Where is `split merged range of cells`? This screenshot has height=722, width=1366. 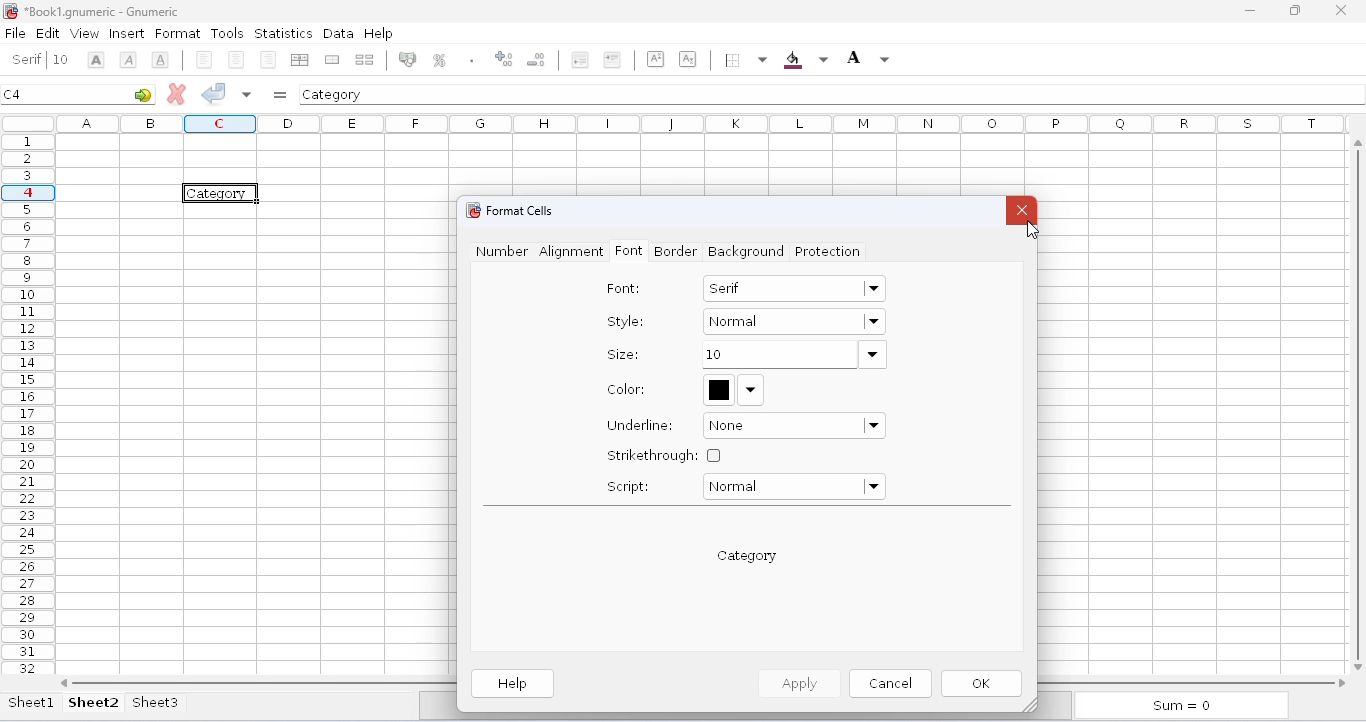
split merged range of cells is located at coordinates (409, 59).